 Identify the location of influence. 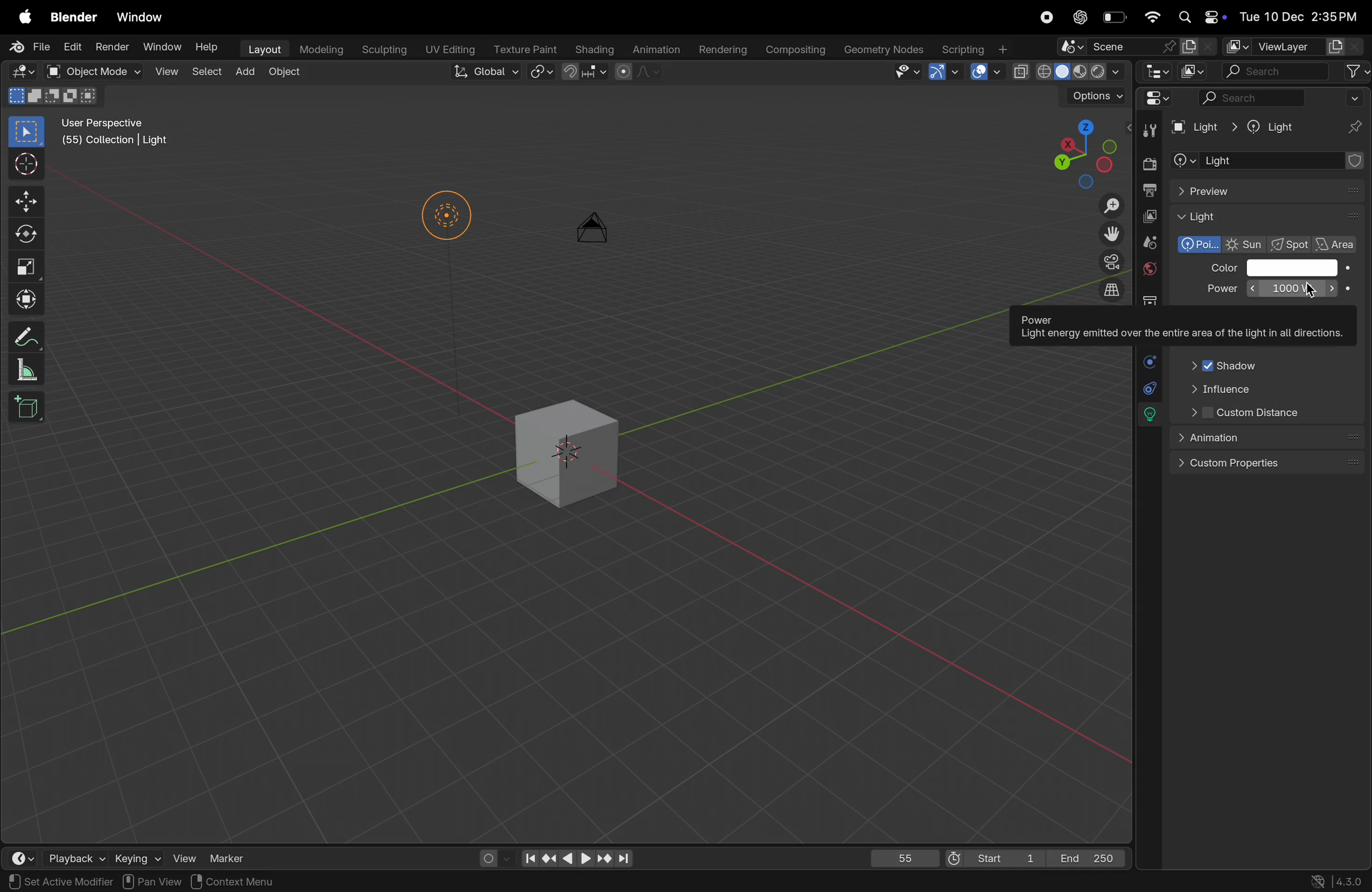
(1253, 388).